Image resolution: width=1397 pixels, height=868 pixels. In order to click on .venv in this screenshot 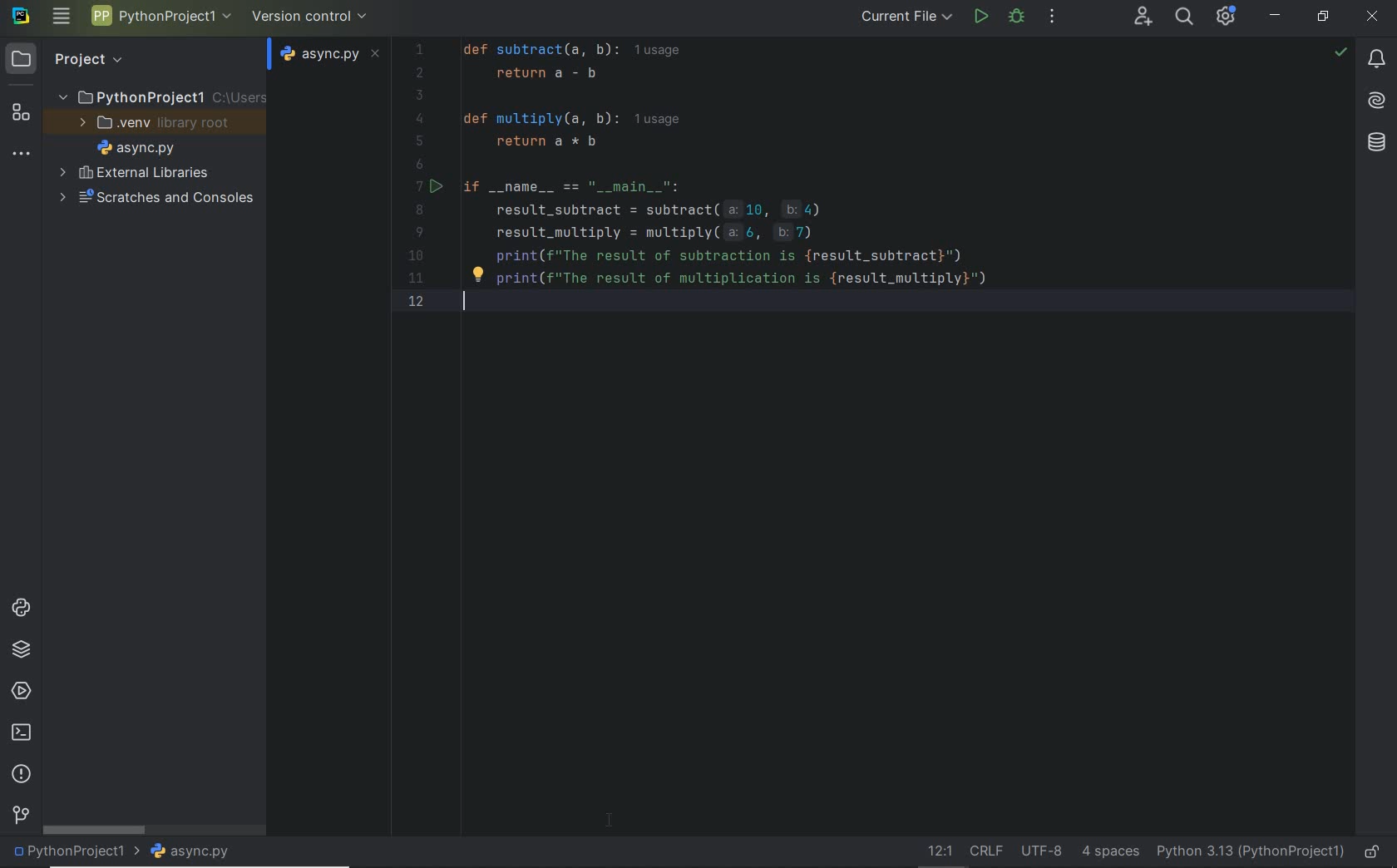, I will do `click(160, 126)`.